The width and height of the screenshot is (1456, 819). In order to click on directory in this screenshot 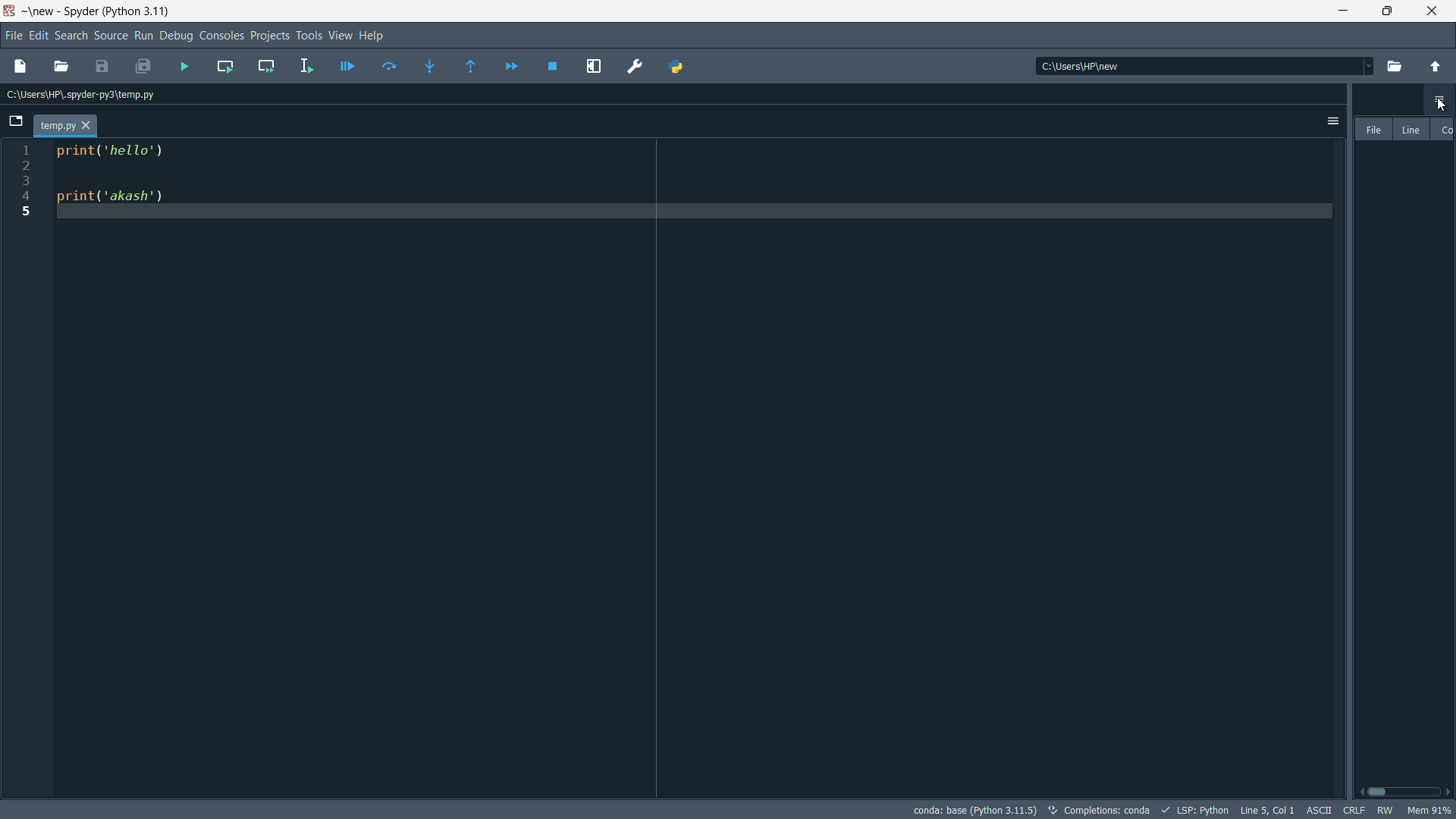, I will do `click(1203, 67)`.